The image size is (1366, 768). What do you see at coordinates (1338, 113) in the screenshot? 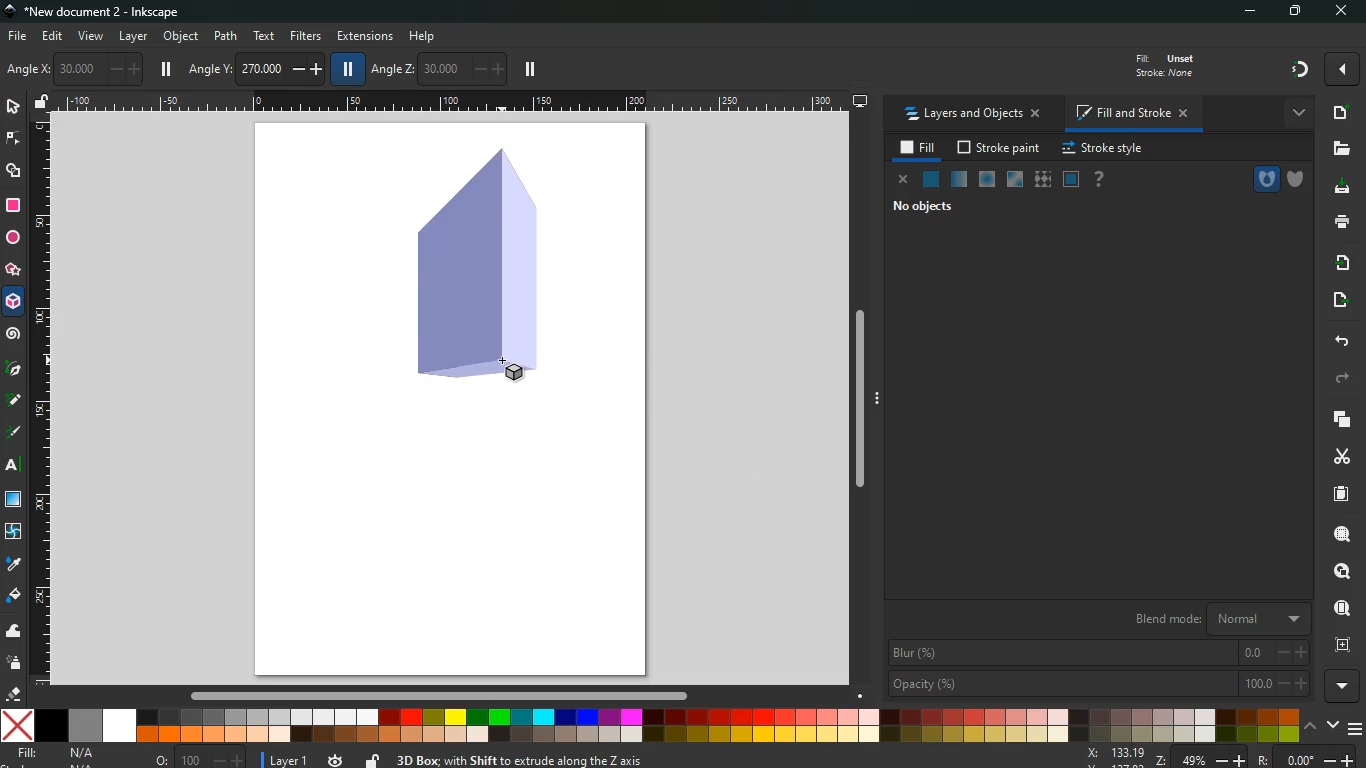
I see `new` at bounding box center [1338, 113].